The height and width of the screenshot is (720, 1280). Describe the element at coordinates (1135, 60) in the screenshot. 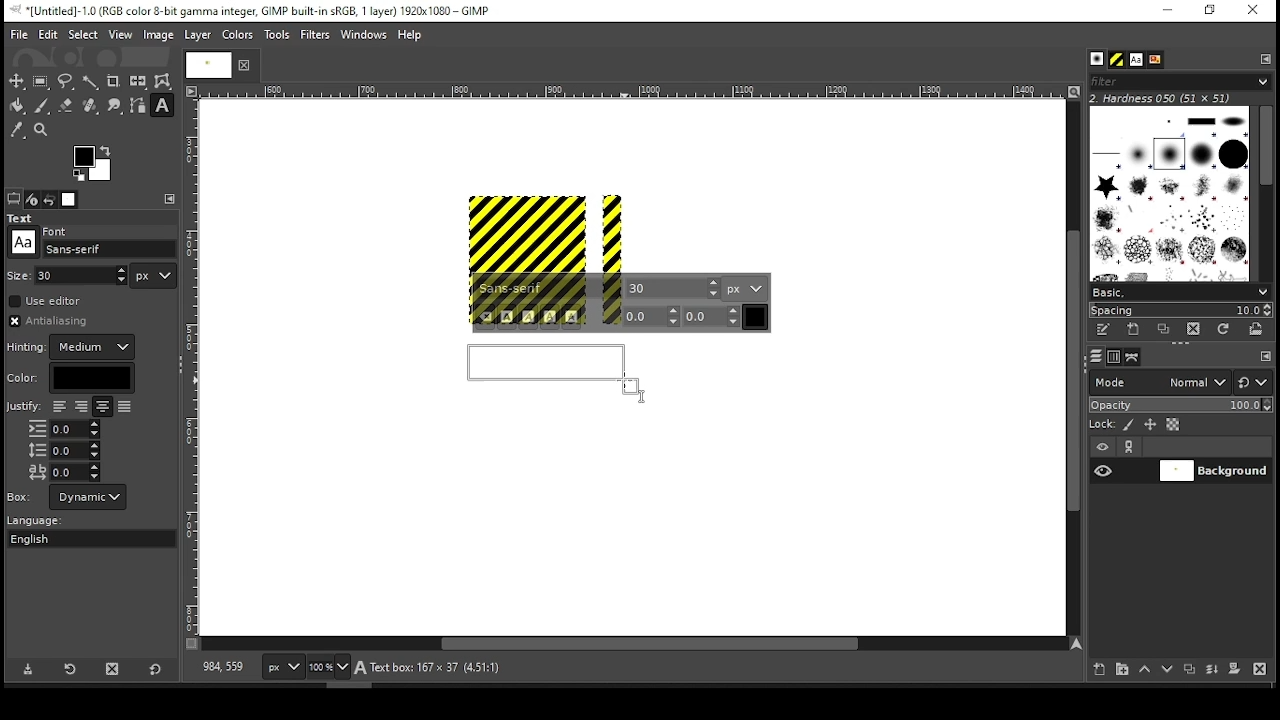

I see `font` at that location.